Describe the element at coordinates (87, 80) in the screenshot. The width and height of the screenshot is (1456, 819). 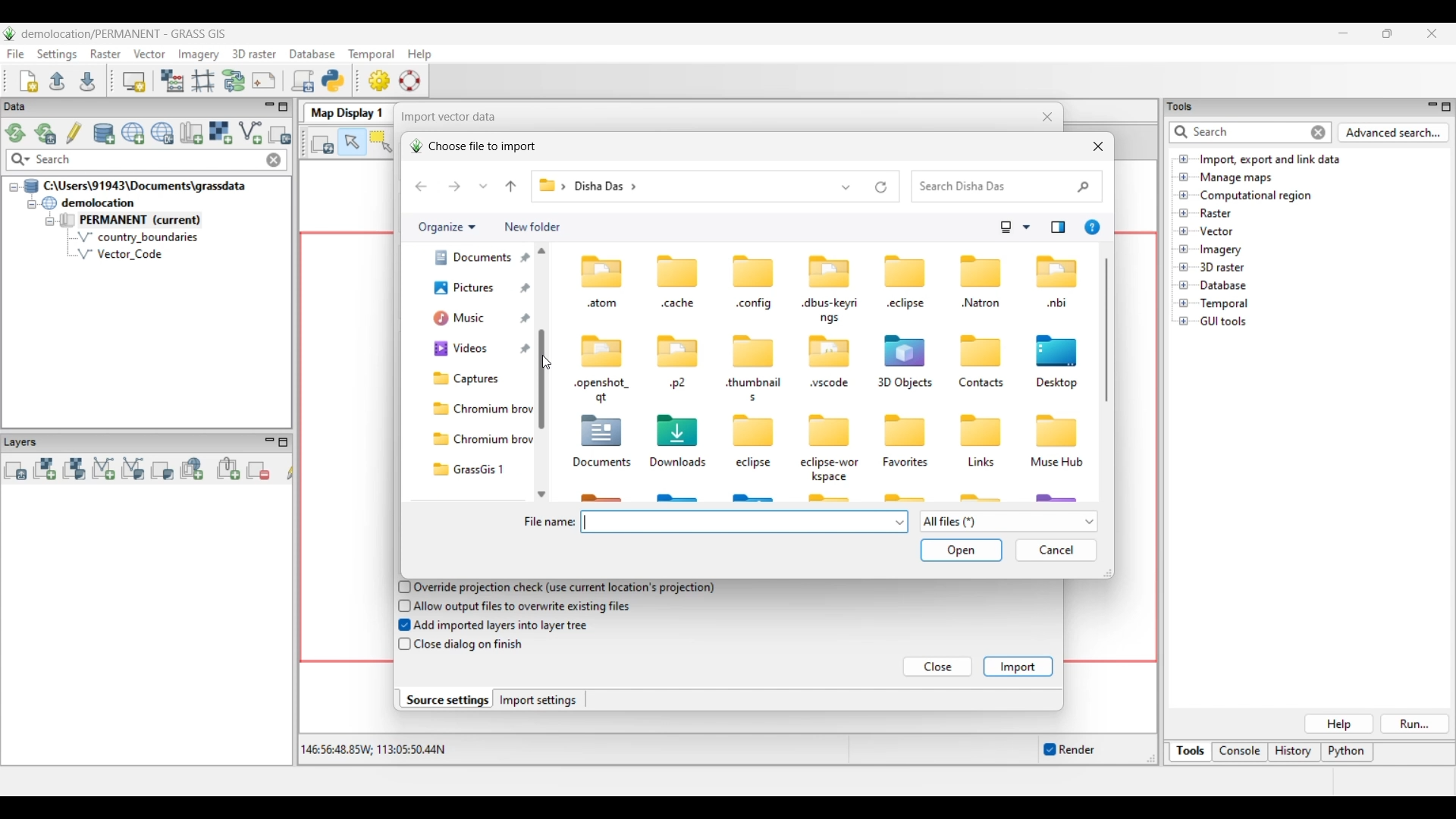
I see `Save current workspace to file` at that location.